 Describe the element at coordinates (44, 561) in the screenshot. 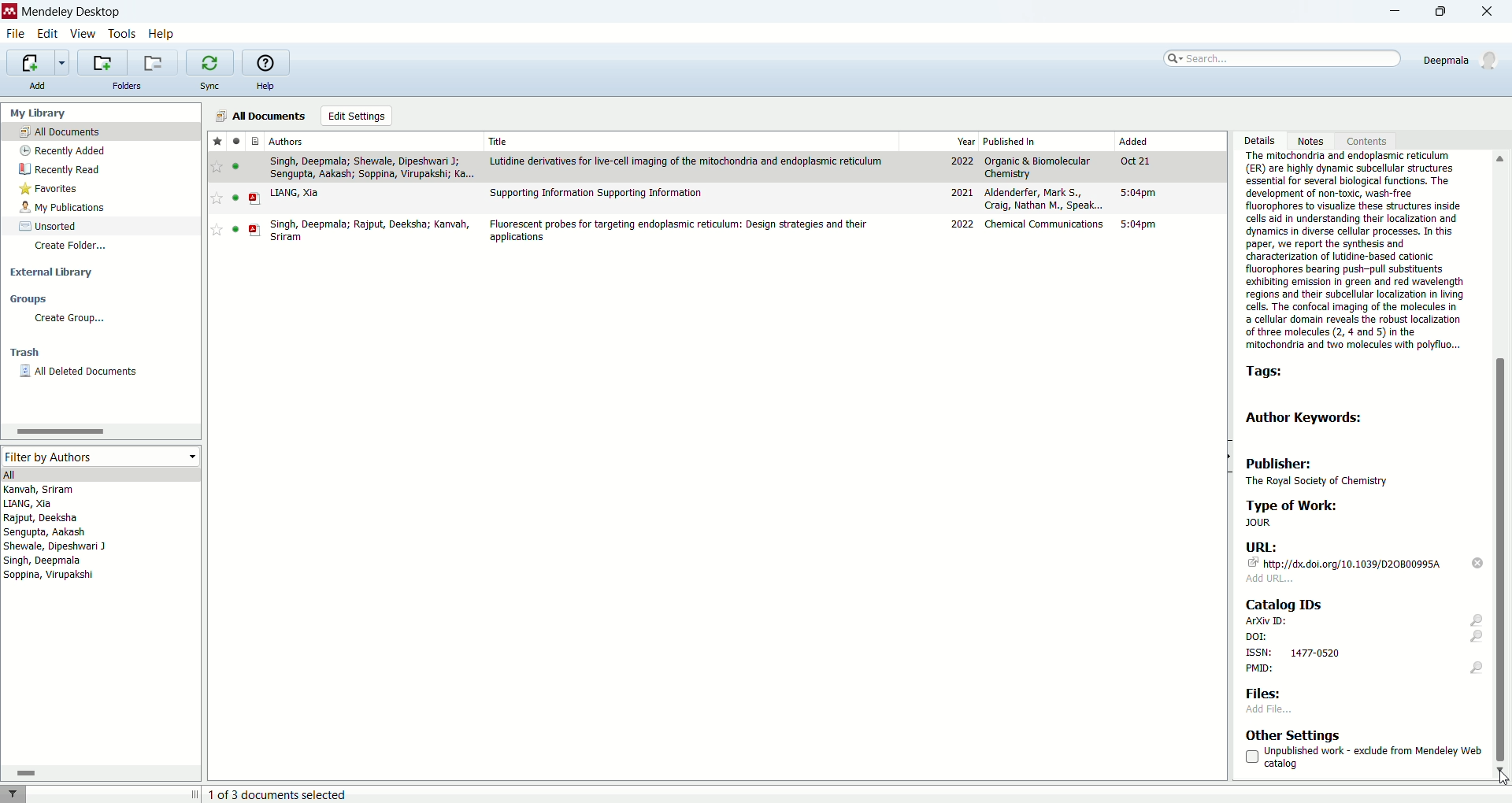

I see `singh, deepmala` at that location.